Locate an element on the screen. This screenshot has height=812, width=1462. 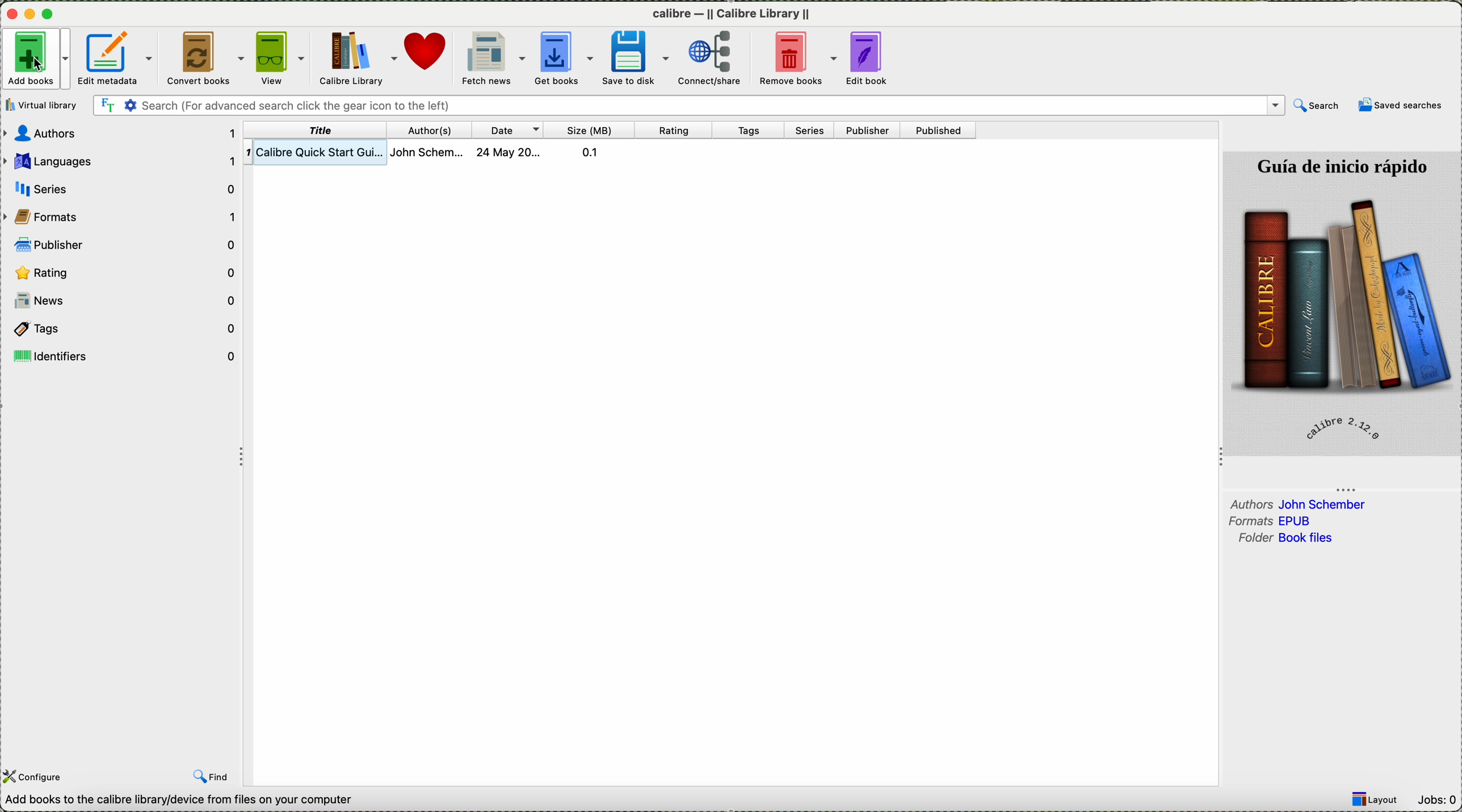
image quick start guide is located at coordinates (1343, 303).